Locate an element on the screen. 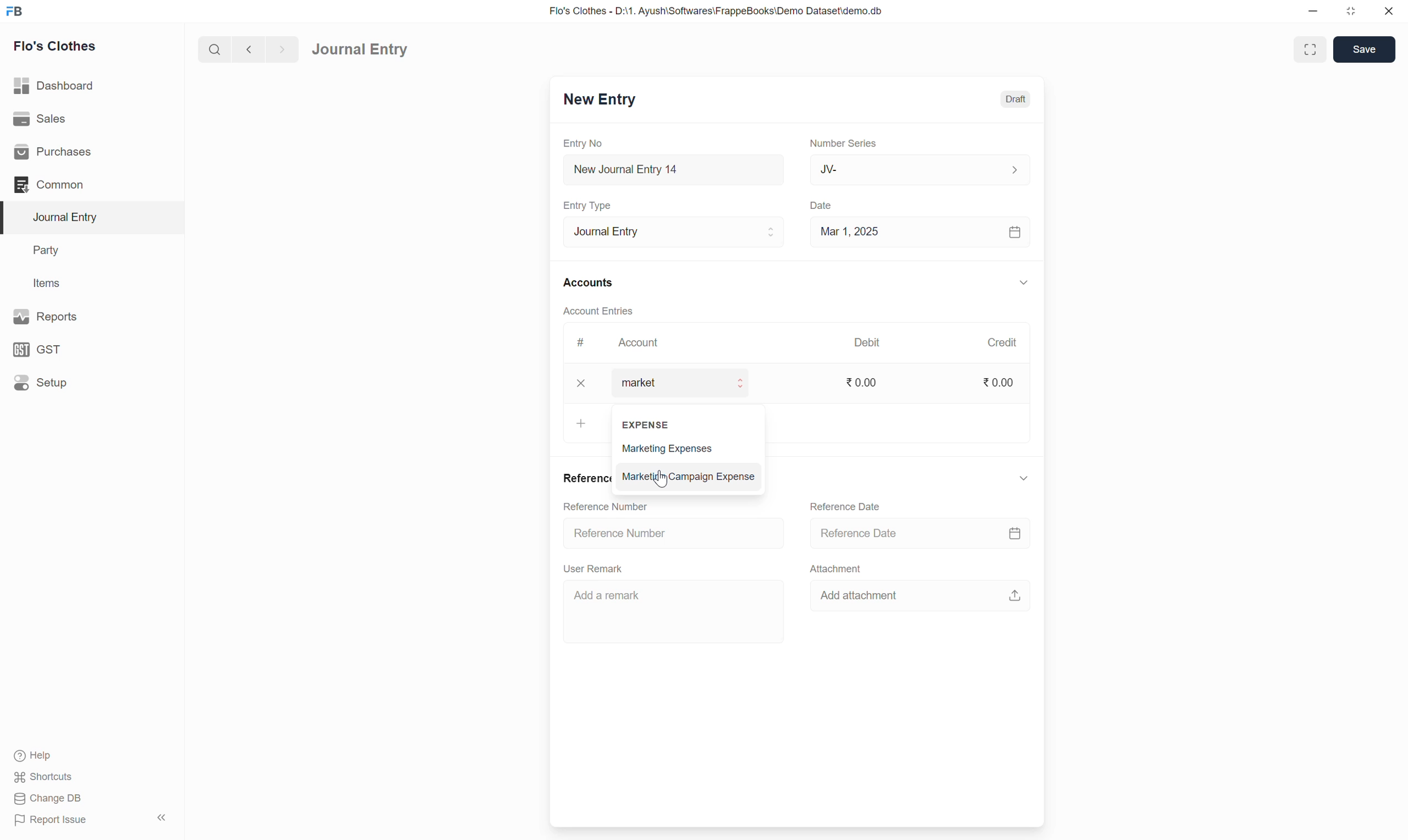  Change DB is located at coordinates (48, 798).